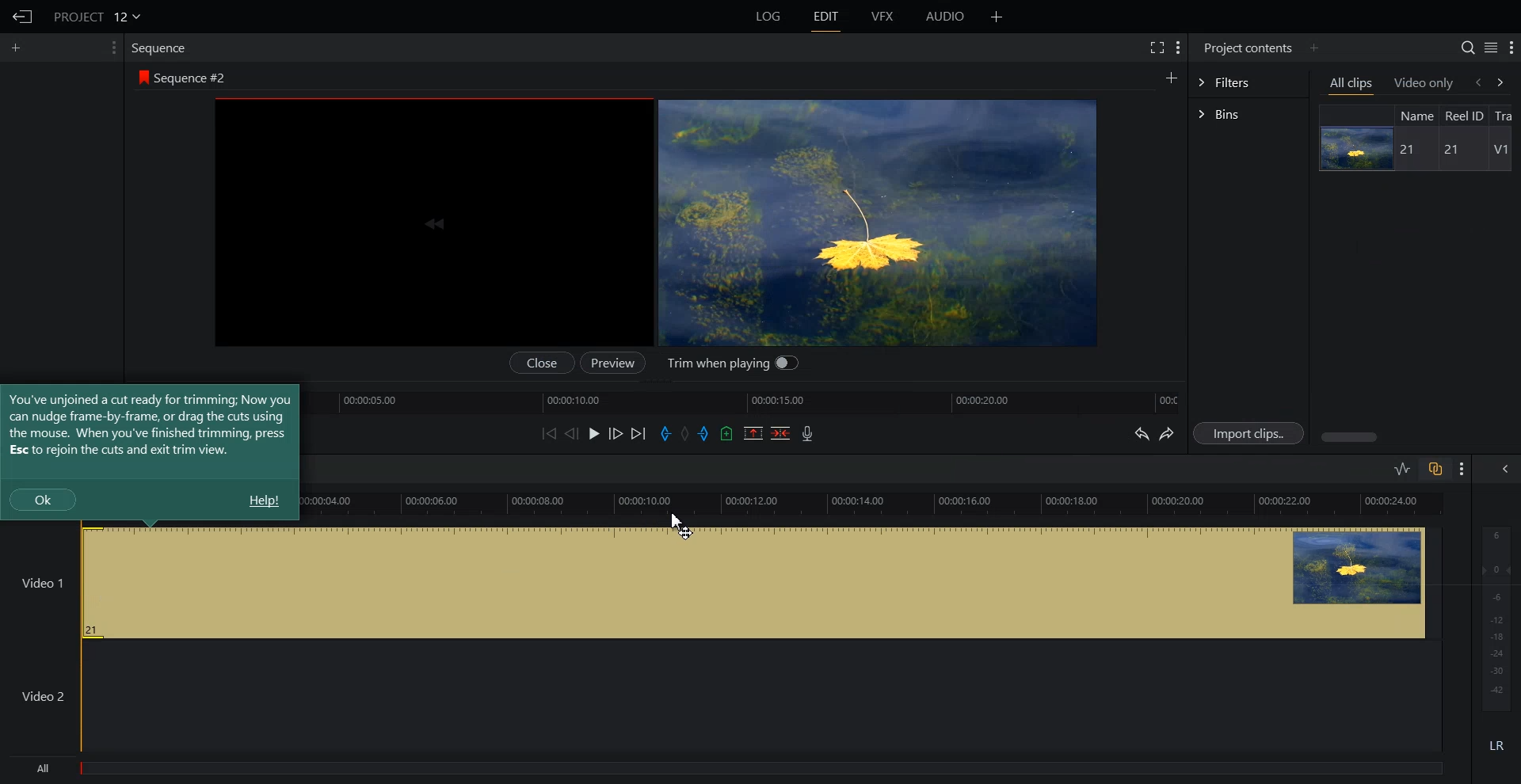 This screenshot has height=784, width=1521. I want to click on Play, so click(594, 433).